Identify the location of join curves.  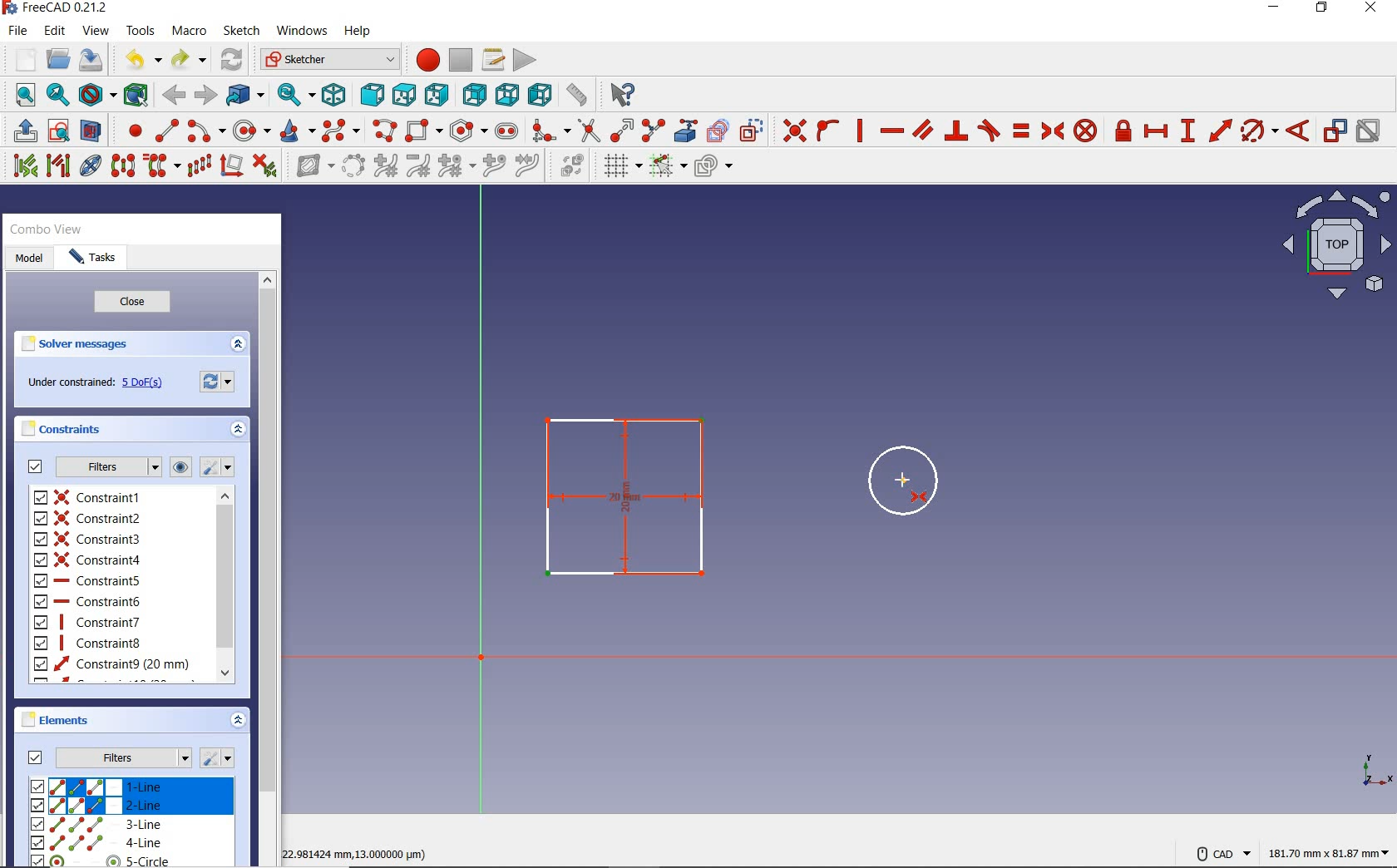
(528, 165).